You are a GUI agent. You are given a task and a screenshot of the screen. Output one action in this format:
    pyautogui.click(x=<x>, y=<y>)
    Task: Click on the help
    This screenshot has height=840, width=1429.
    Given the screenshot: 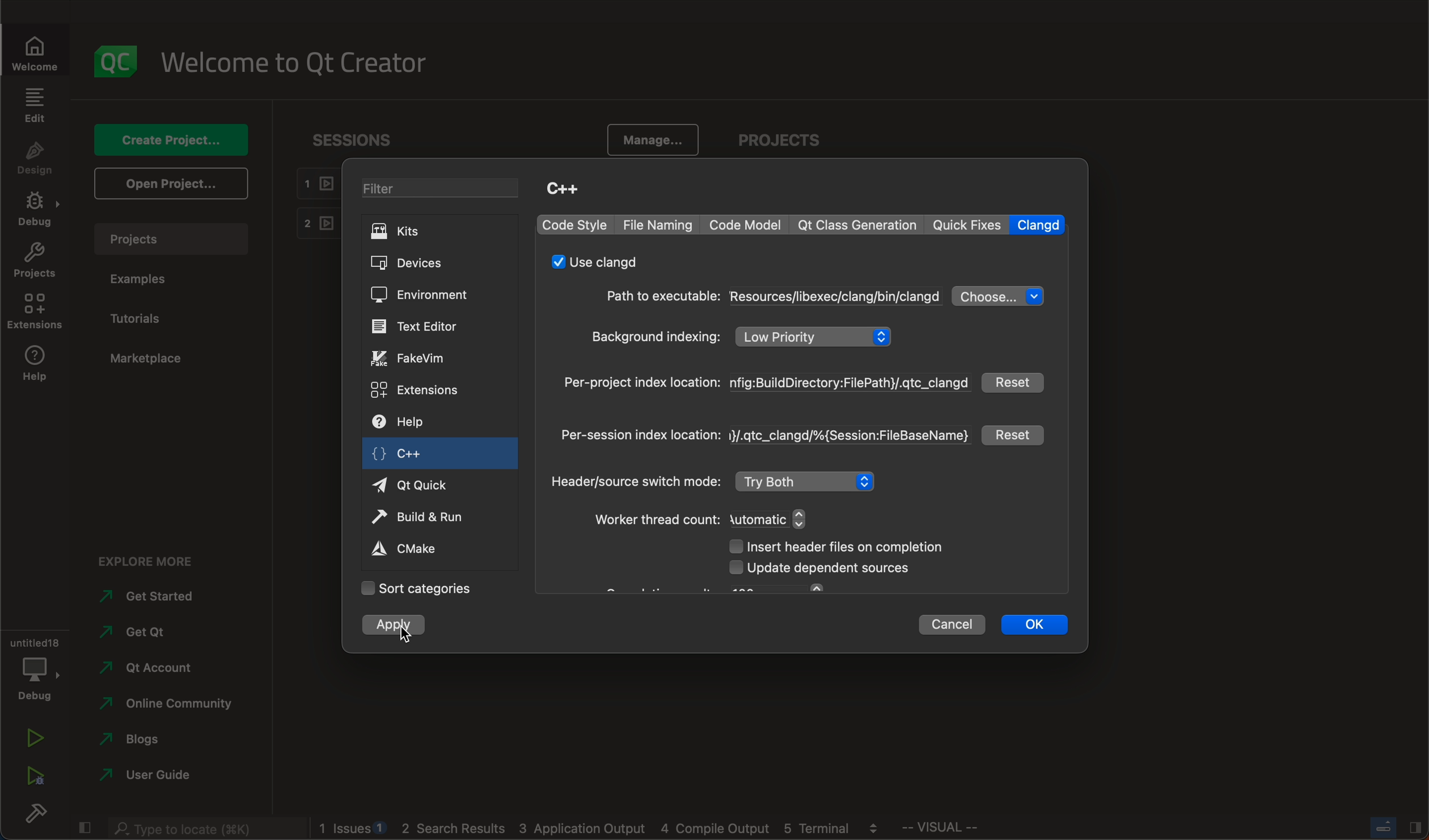 What is the action you would take?
    pyautogui.click(x=38, y=363)
    